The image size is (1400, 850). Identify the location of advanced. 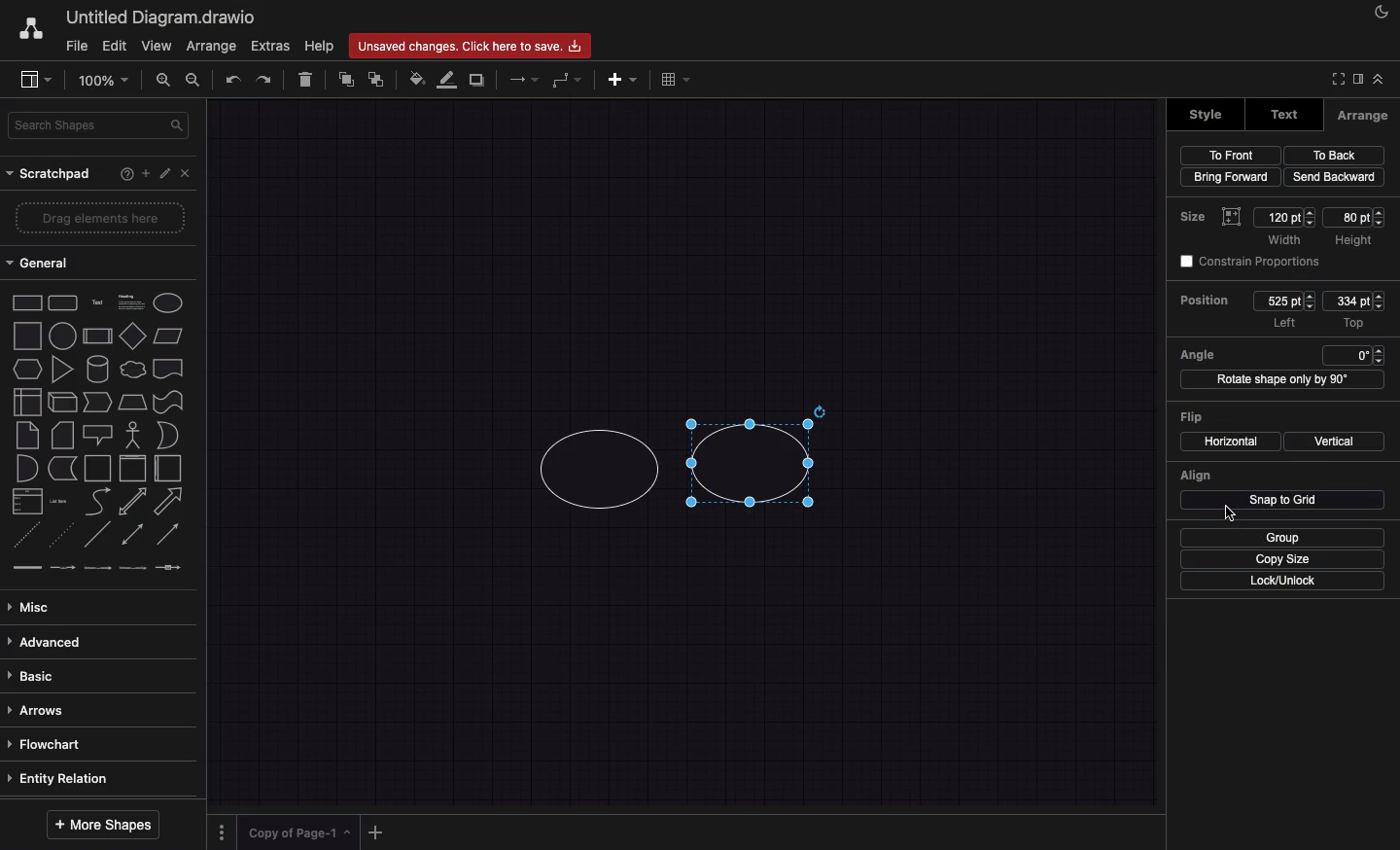
(95, 641).